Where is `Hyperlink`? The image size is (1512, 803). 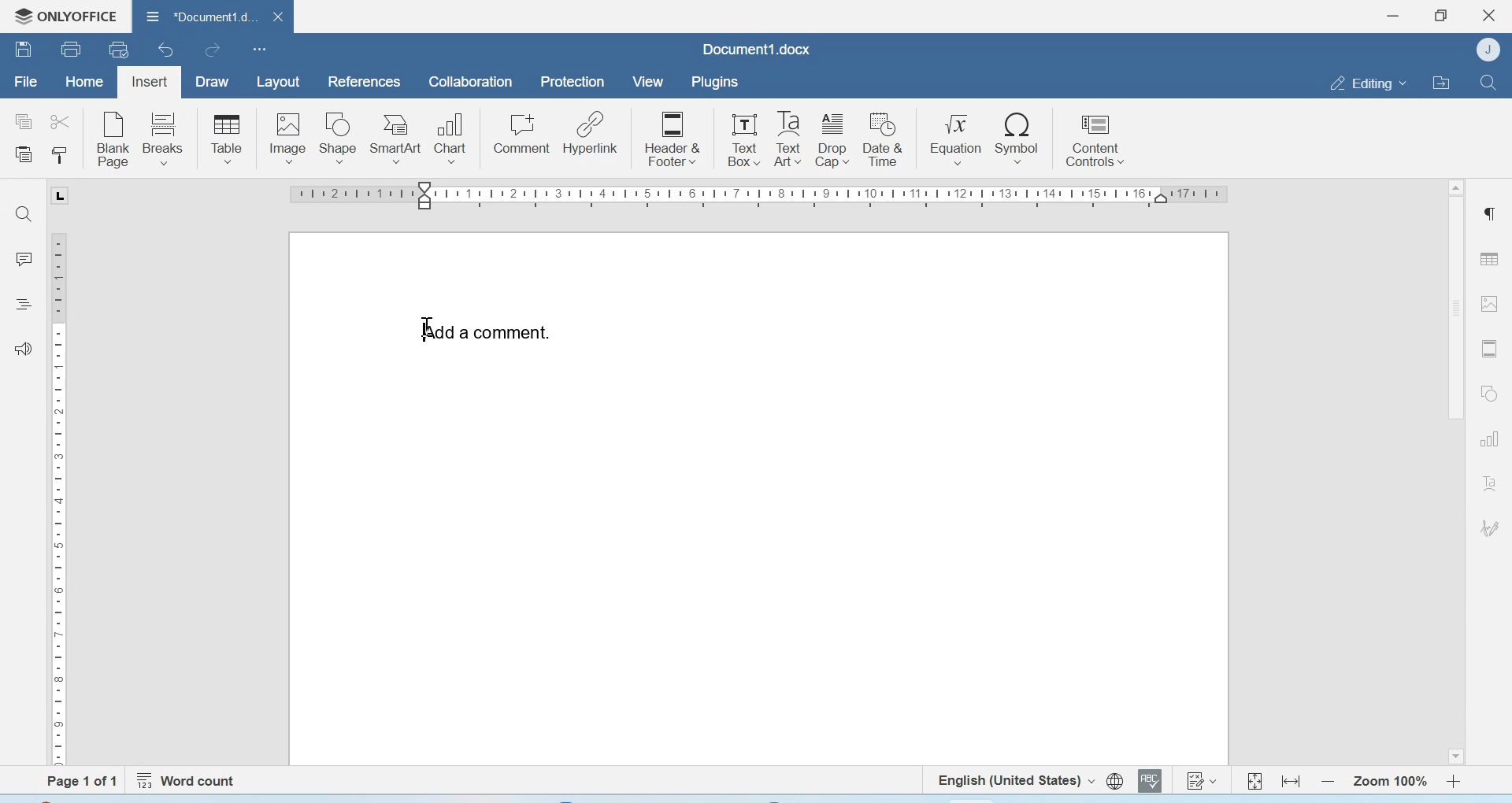
Hyperlink is located at coordinates (590, 133).